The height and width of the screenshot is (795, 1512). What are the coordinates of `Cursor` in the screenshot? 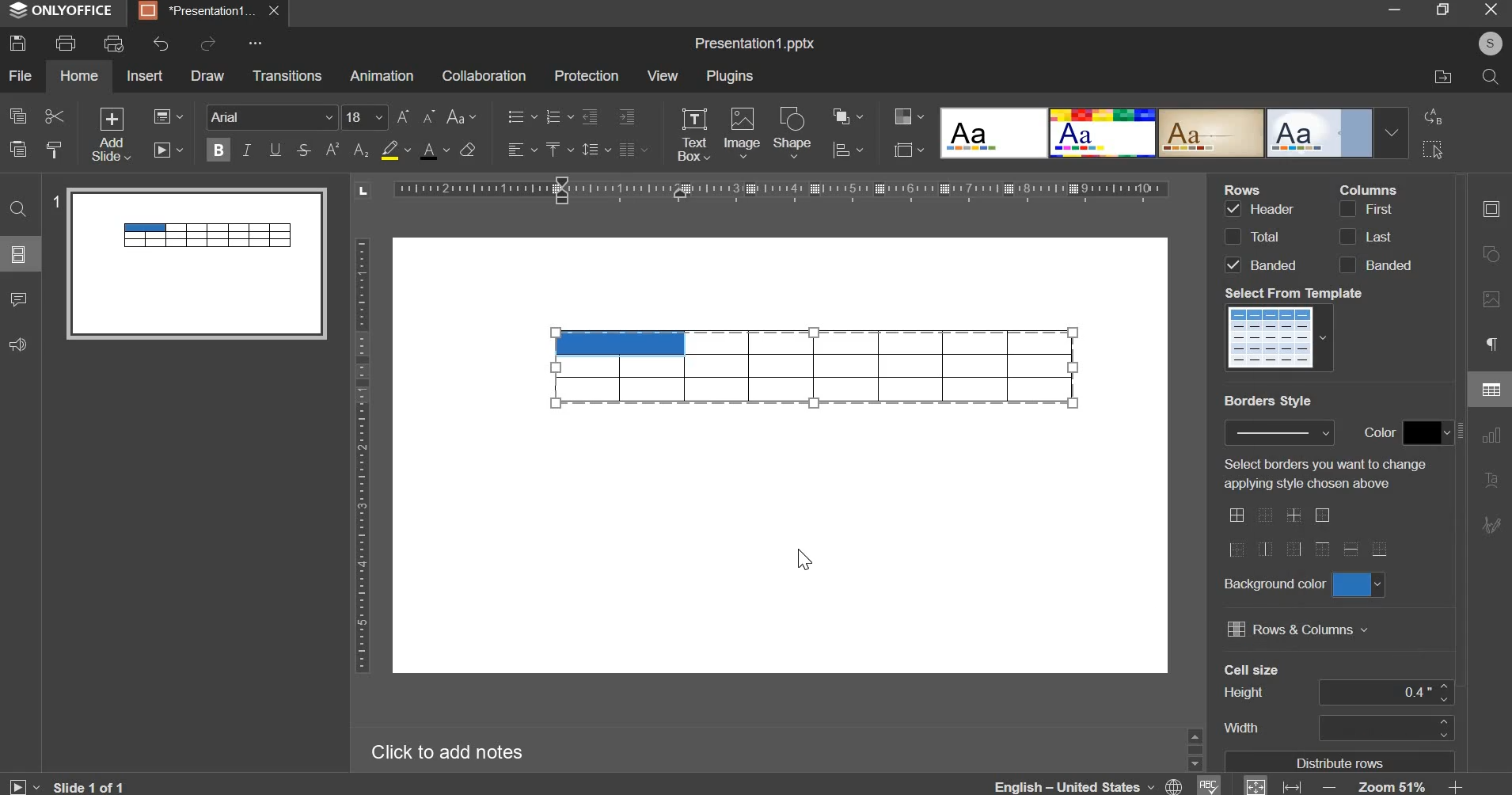 It's located at (805, 559).